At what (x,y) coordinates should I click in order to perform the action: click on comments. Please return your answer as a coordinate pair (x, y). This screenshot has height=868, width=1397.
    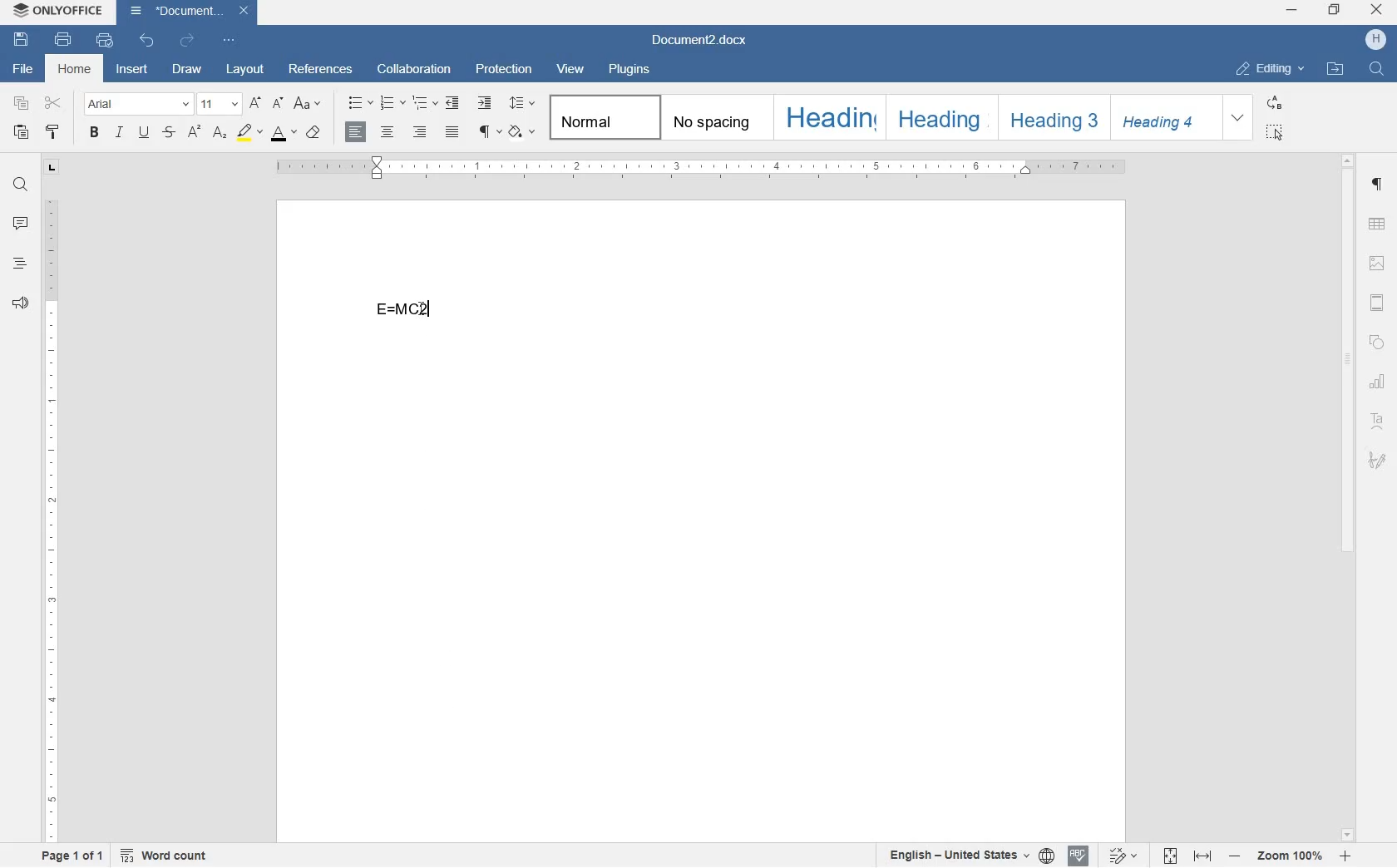
    Looking at the image, I should click on (20, 224).